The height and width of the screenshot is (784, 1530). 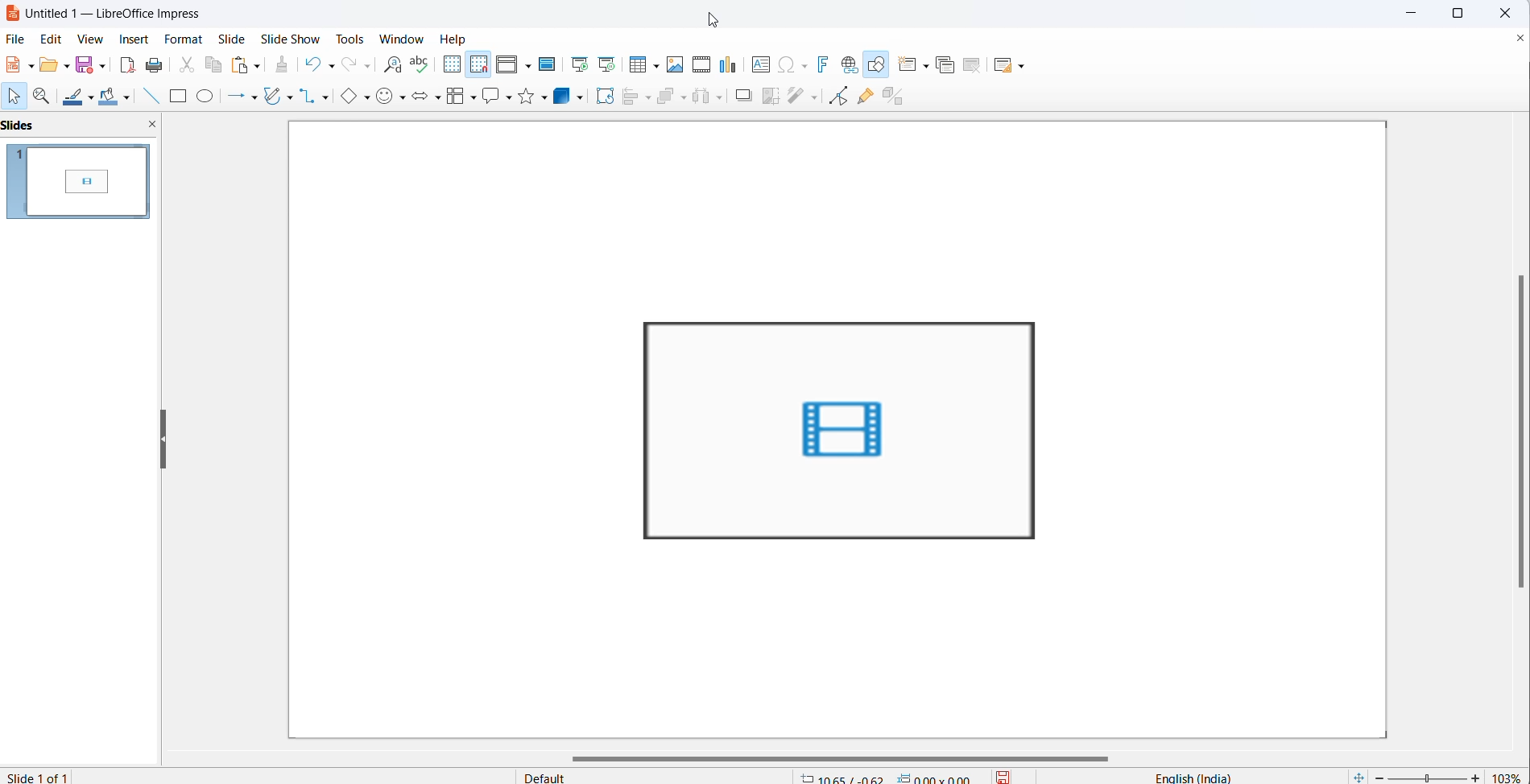 I want to click on export as pdf, so click(x=126, y=65).